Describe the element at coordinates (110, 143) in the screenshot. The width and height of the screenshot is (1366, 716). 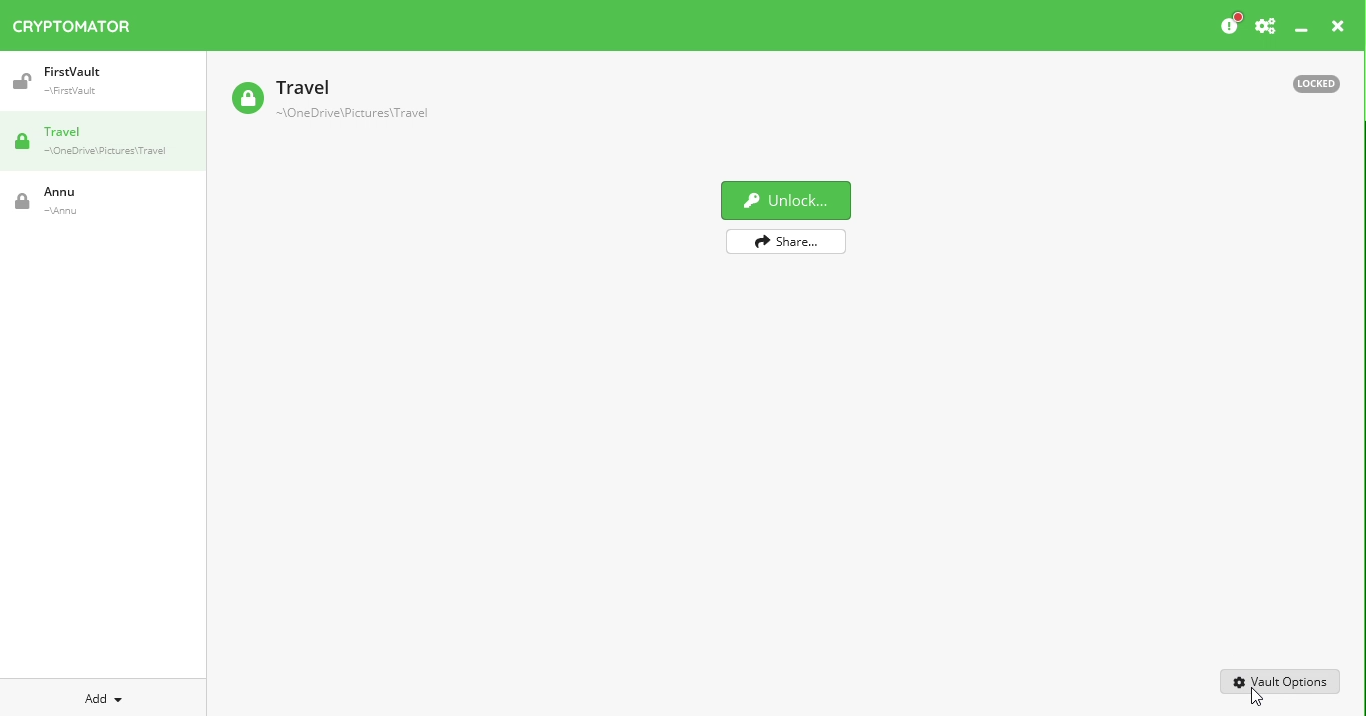
I see `Travel` at that location.